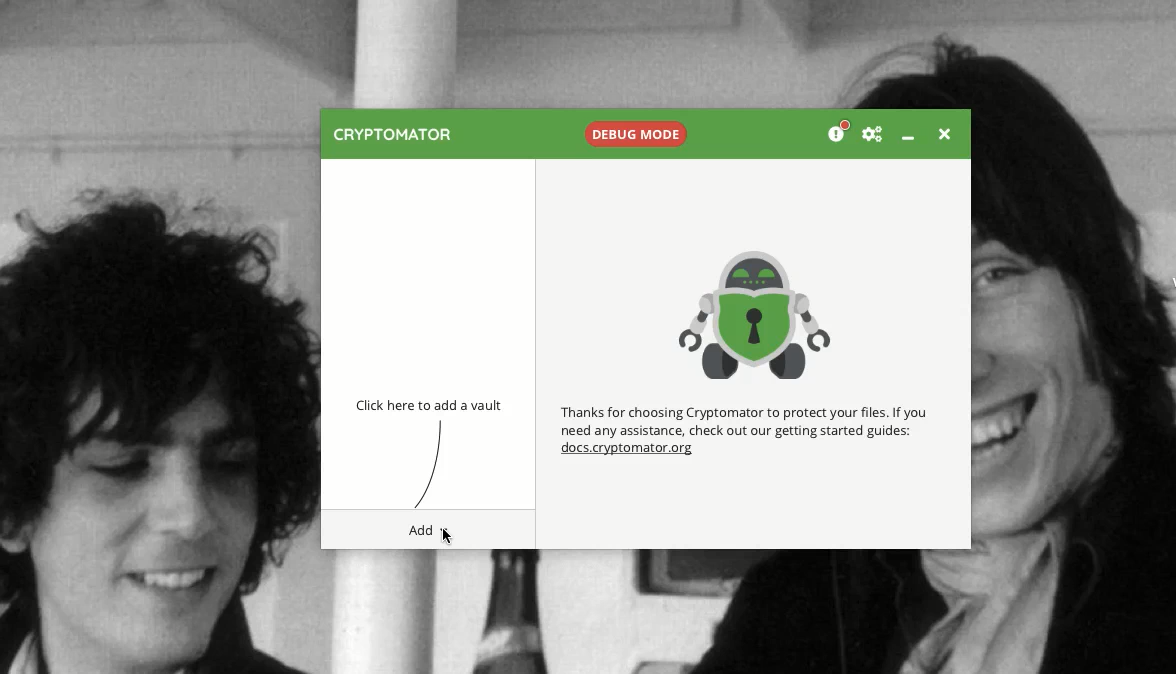 The image size is (1176, 674). Describe the element at coordinates (421, 530) in the screenshot. I see `Add menu` at that location.